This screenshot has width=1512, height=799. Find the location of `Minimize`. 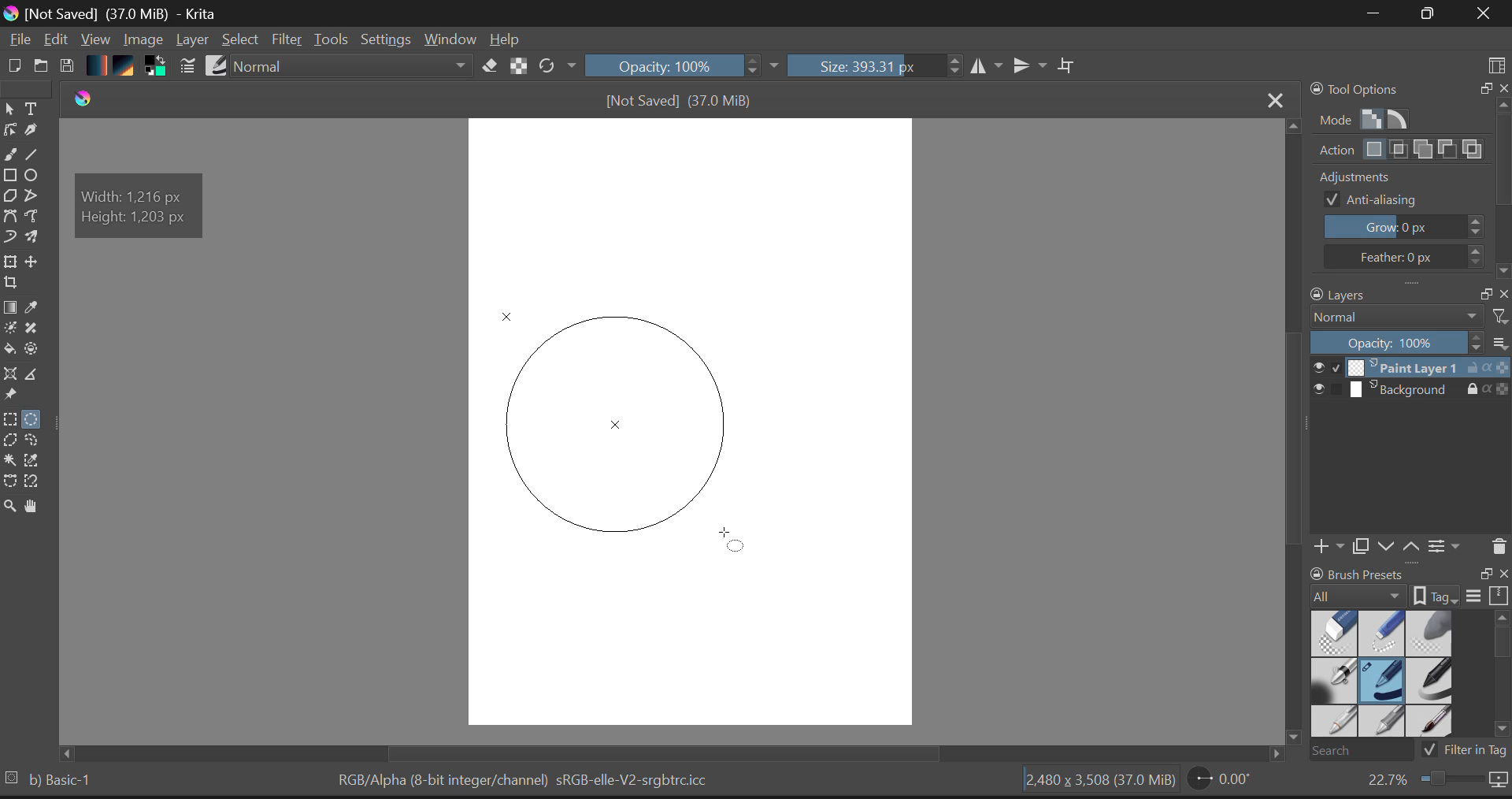

Minimize is located at coordinates (1423, 13).